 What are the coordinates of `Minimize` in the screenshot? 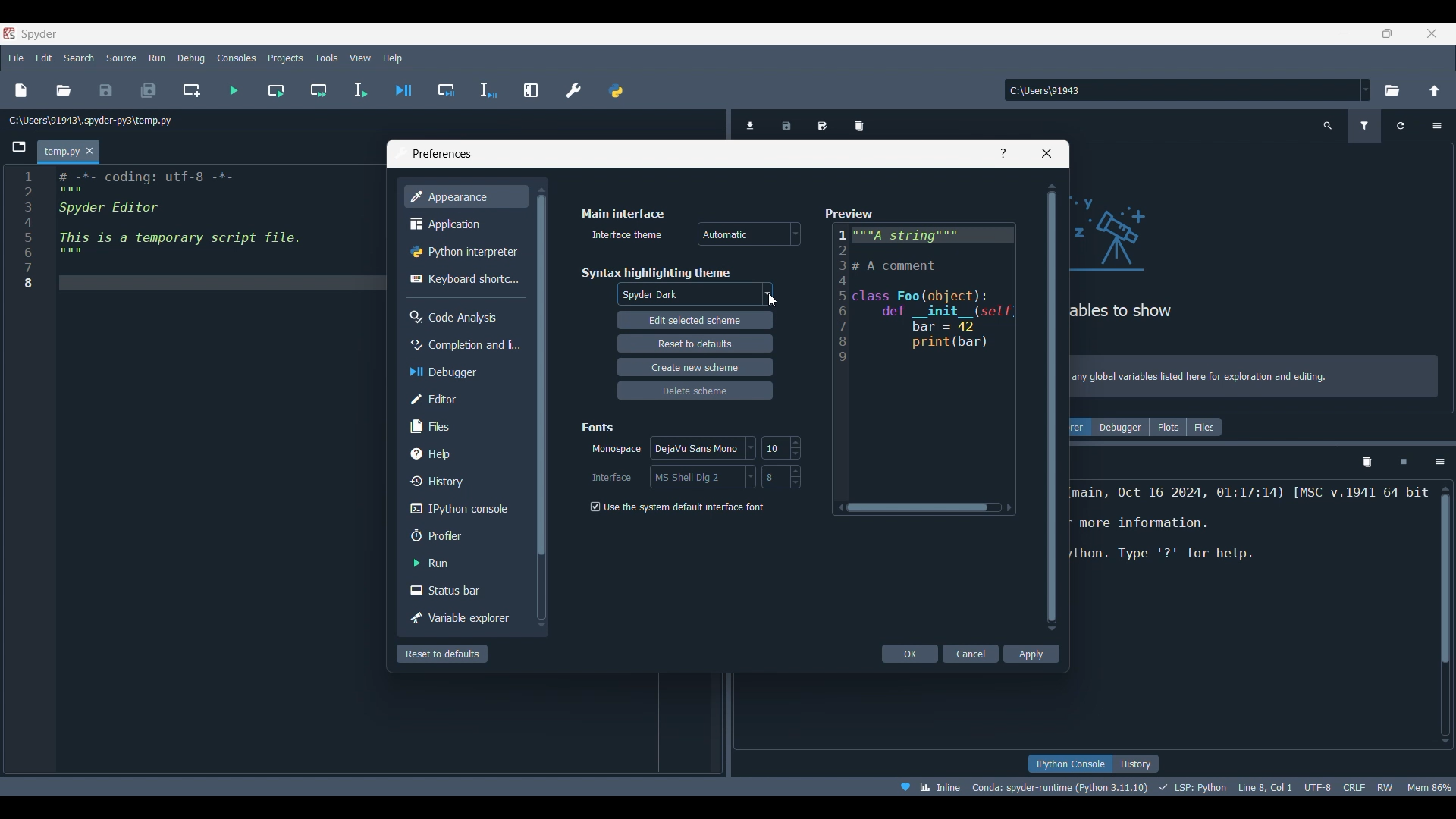 It's located at (1349, 36).